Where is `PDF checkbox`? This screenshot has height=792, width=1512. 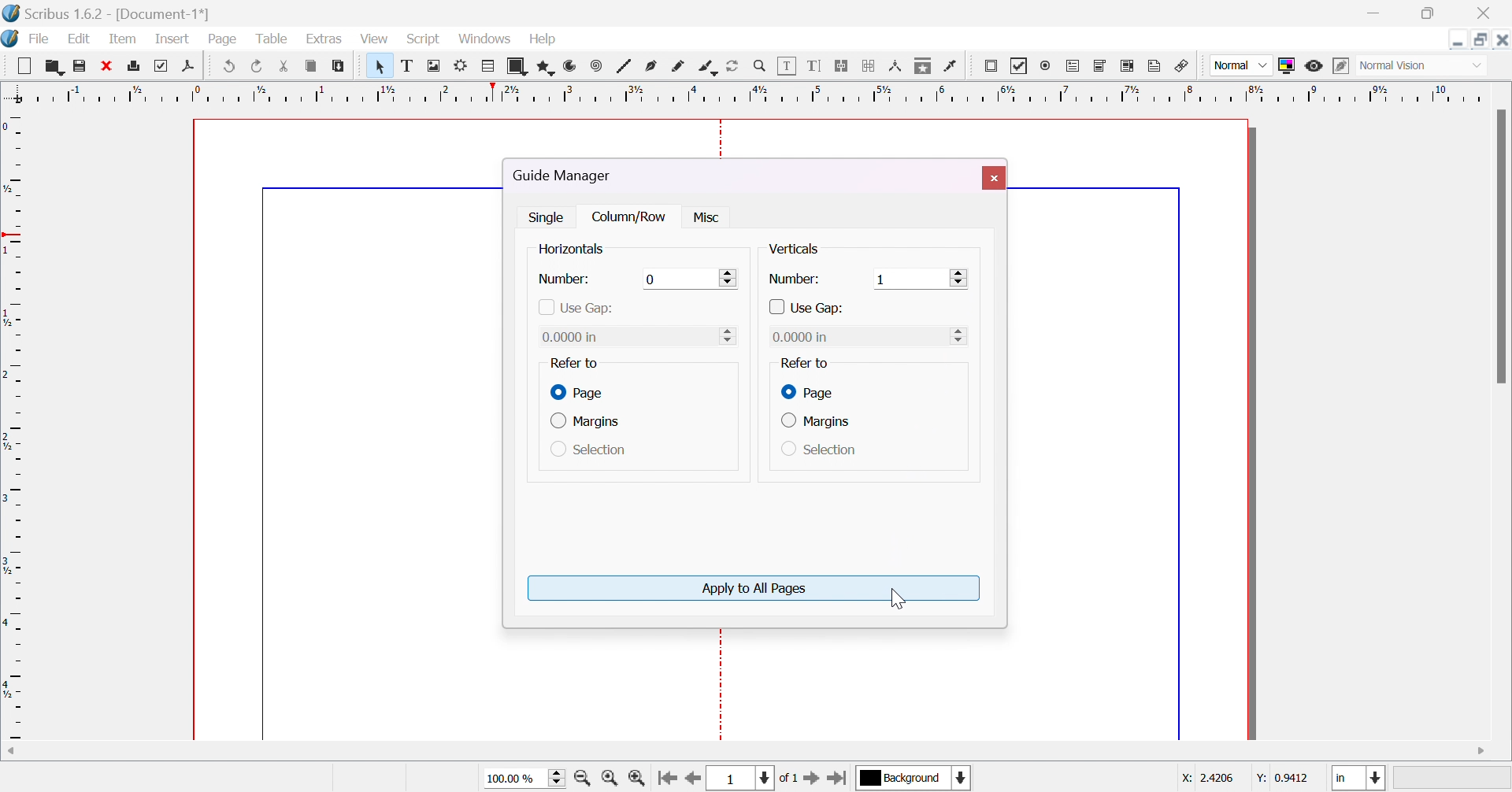 PDF checkbox is located at coordinates (1021, 66).